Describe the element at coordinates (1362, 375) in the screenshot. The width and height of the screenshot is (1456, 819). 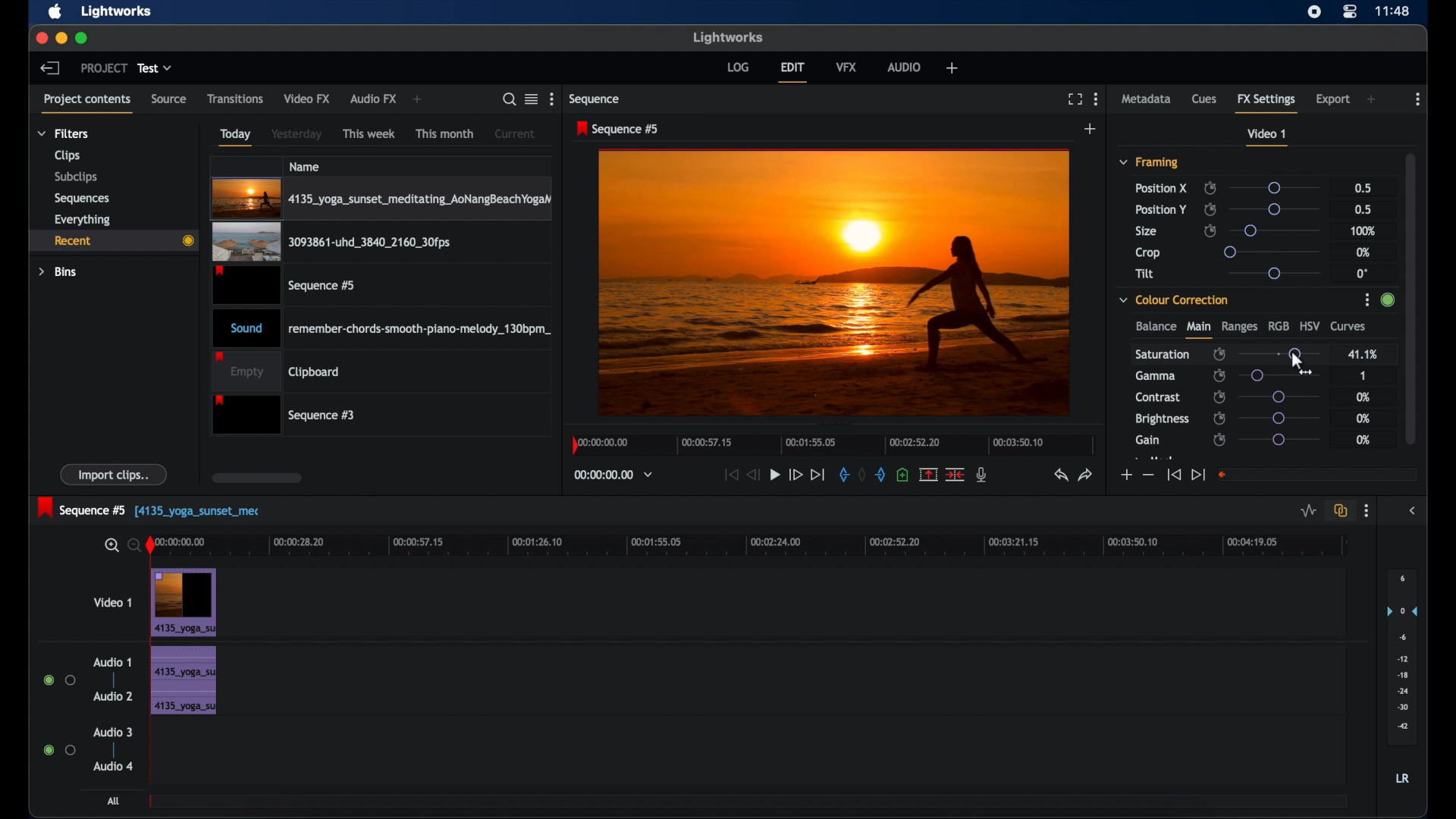
I see `1` at that location.